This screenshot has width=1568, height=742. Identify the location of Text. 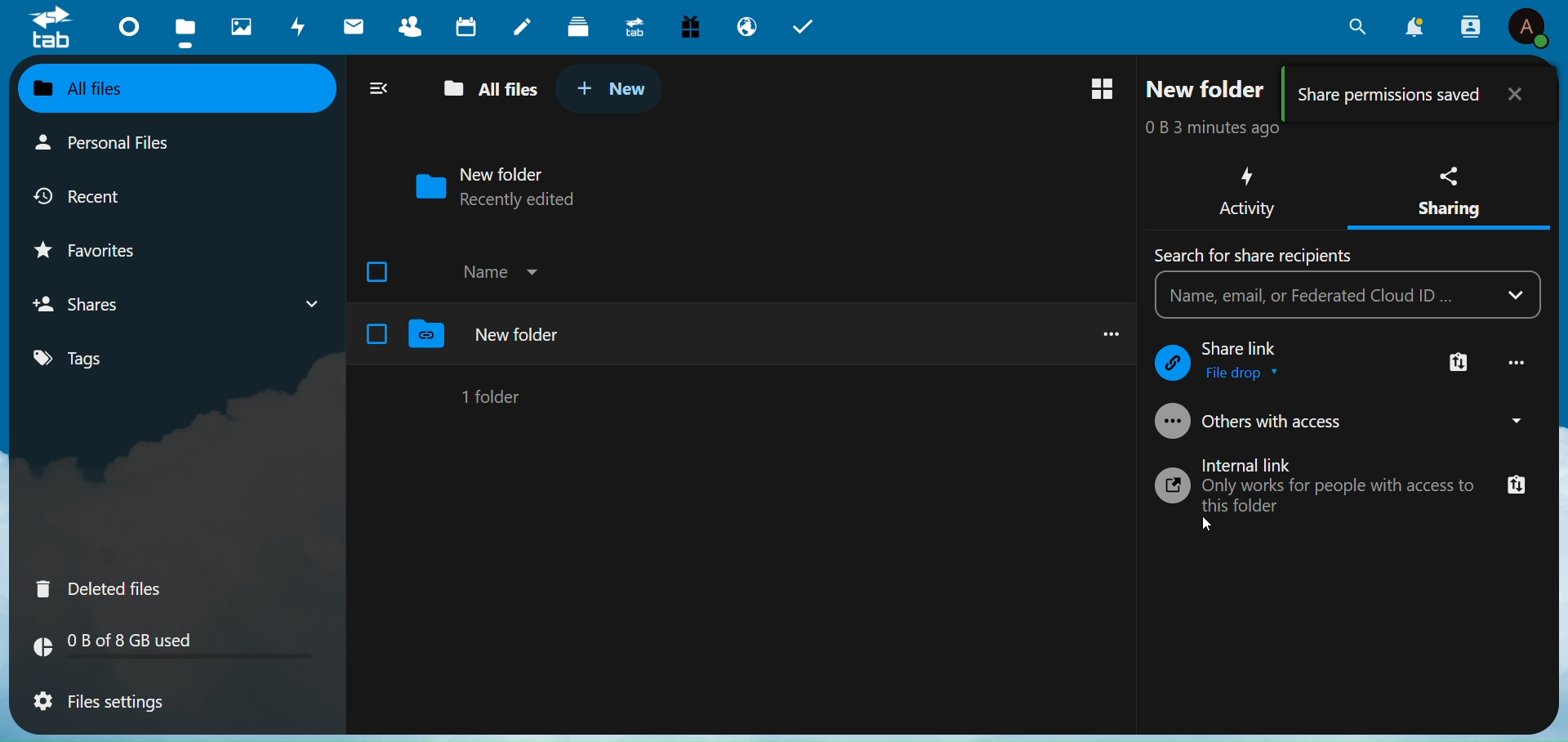
(1254, 255).